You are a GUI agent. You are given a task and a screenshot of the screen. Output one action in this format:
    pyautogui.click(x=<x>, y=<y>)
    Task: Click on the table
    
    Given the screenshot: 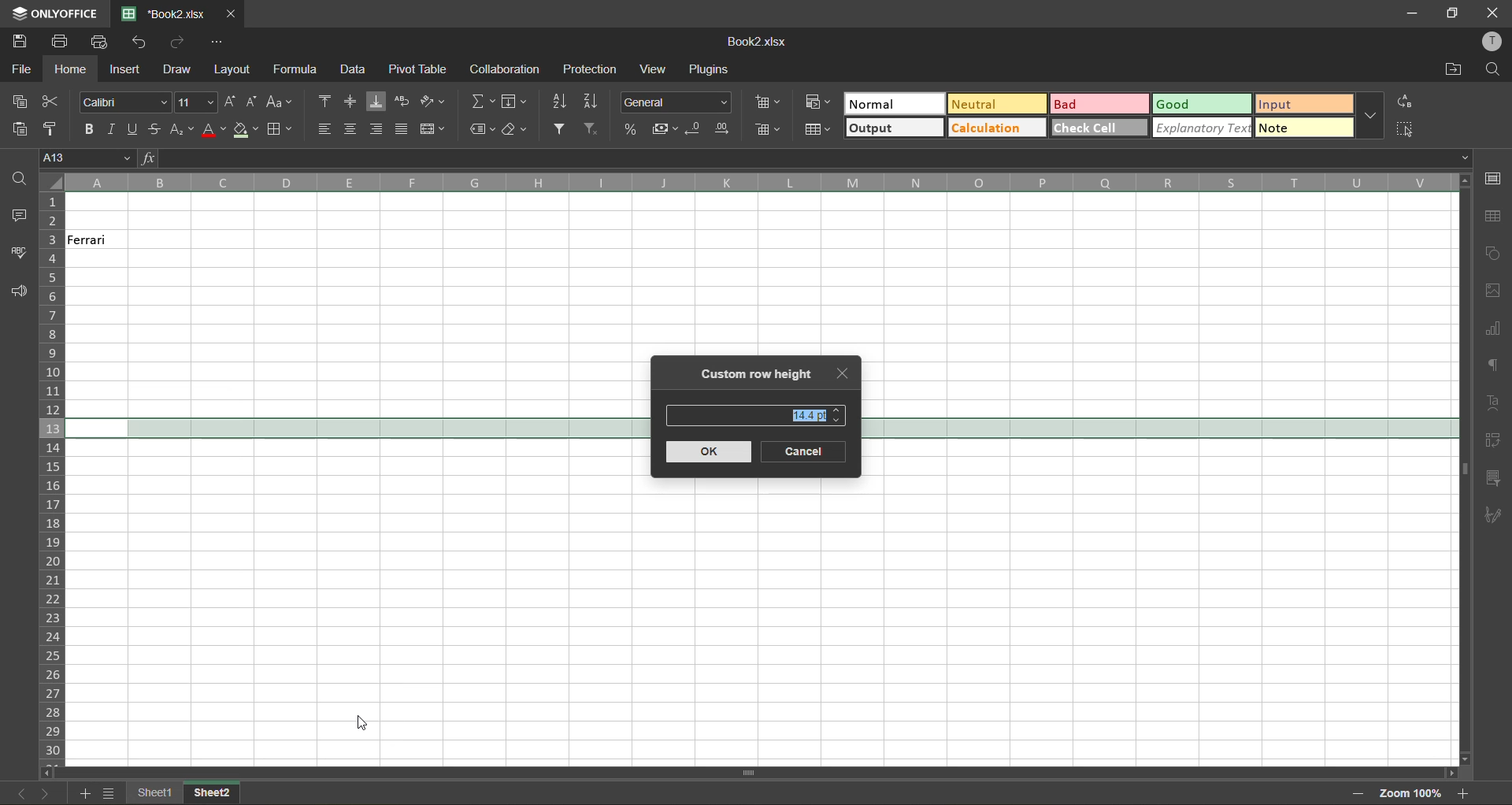 What is the action you would take?
    pyautogui.click(x=1494, y=217)
    